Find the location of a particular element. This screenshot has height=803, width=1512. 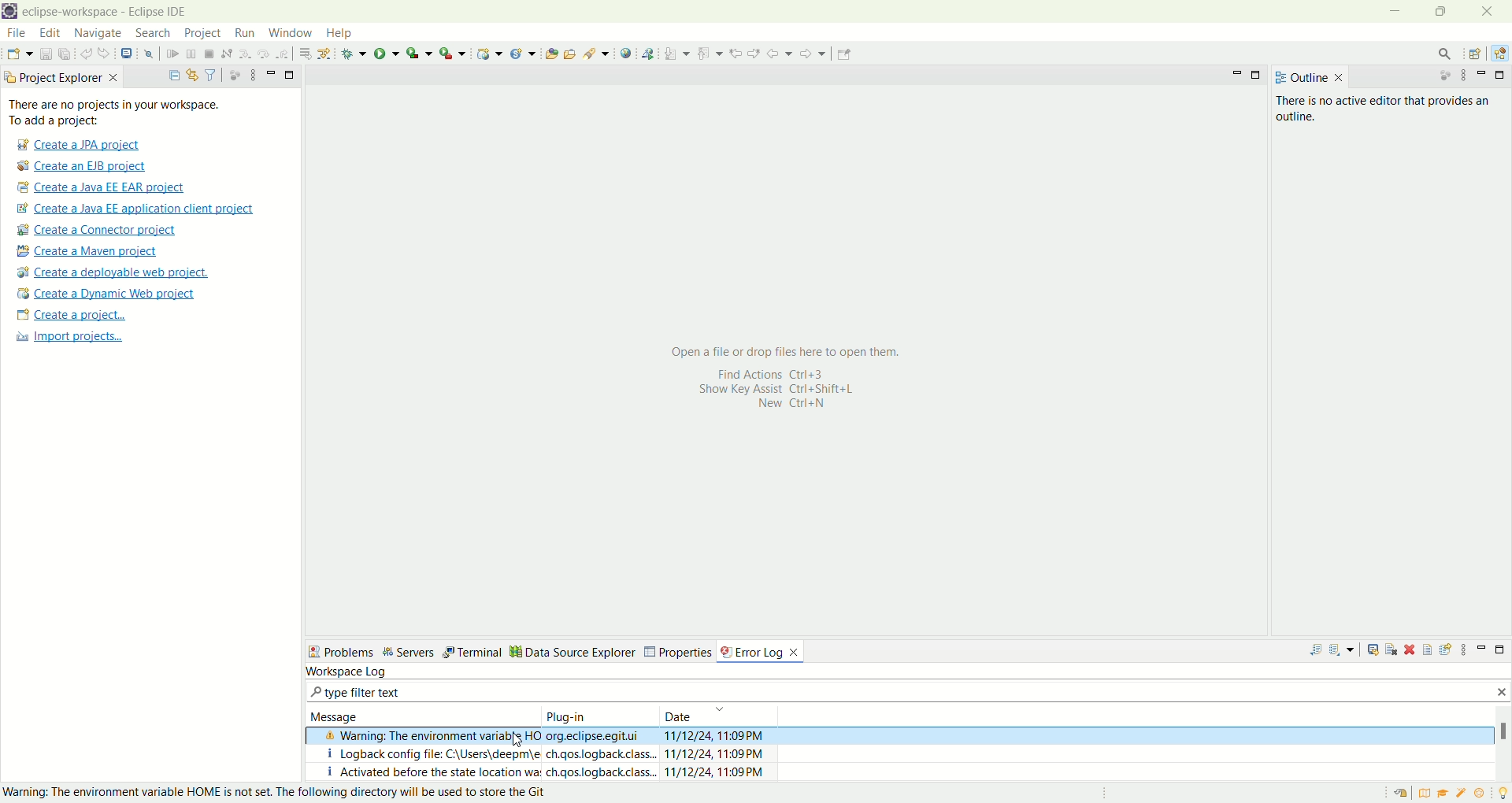

date is located at coordinates (720, 715).